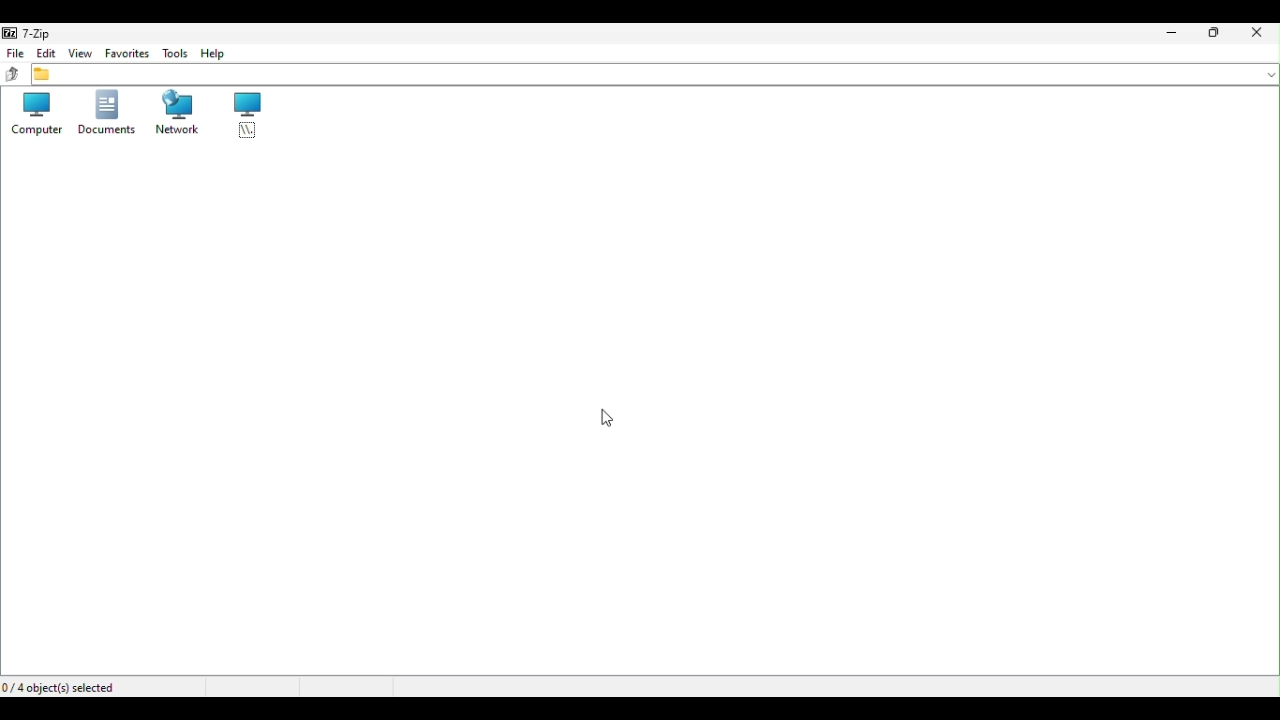  I want to click on restore, so click(1215, 34).